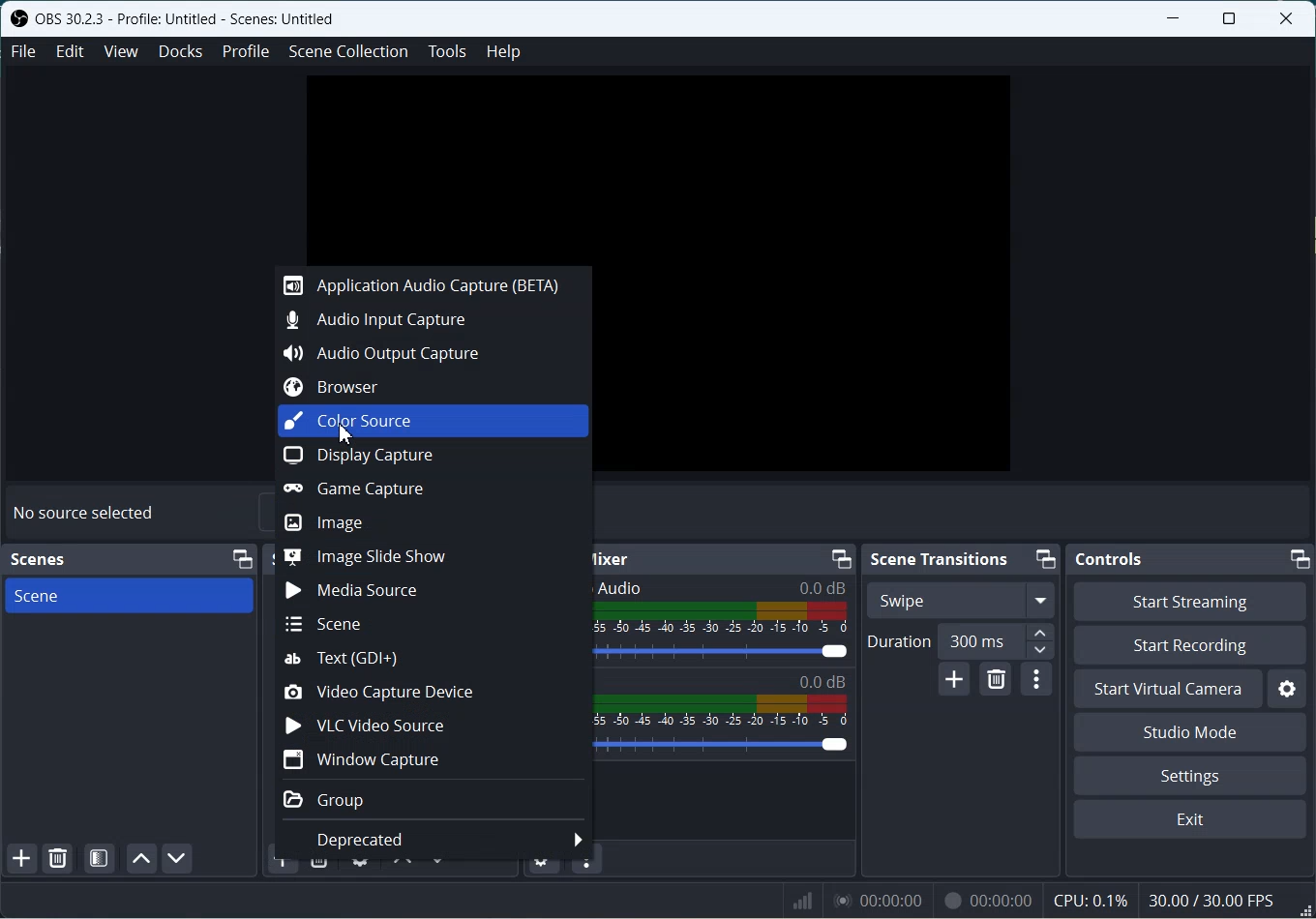  What do you see at coordinates (1111, 559) in the screenshot?
I see `Controls` at bounding box center [1111, 559].